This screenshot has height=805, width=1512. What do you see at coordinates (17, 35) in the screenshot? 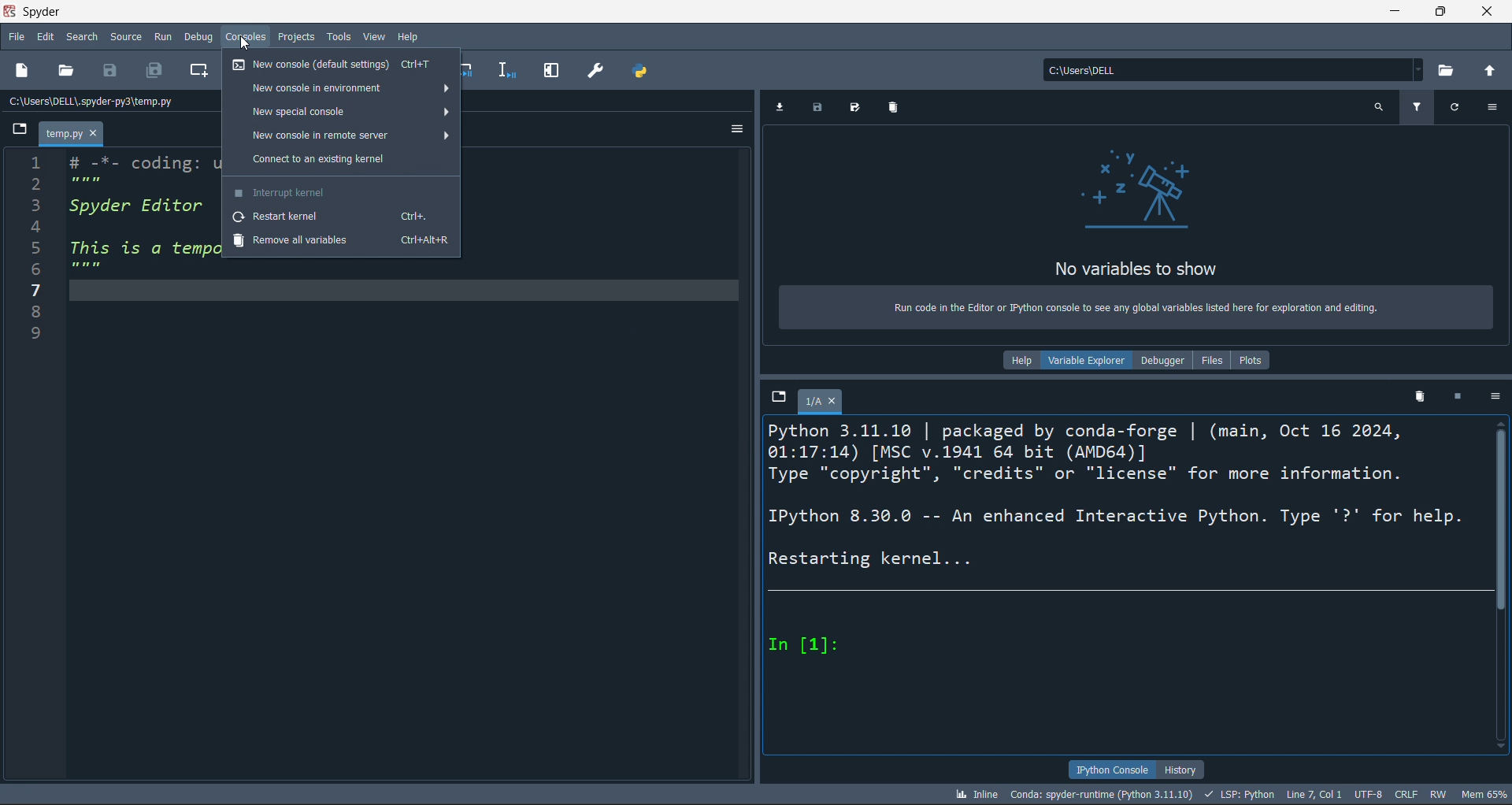
I see `file` at bounding box center [17, 35].